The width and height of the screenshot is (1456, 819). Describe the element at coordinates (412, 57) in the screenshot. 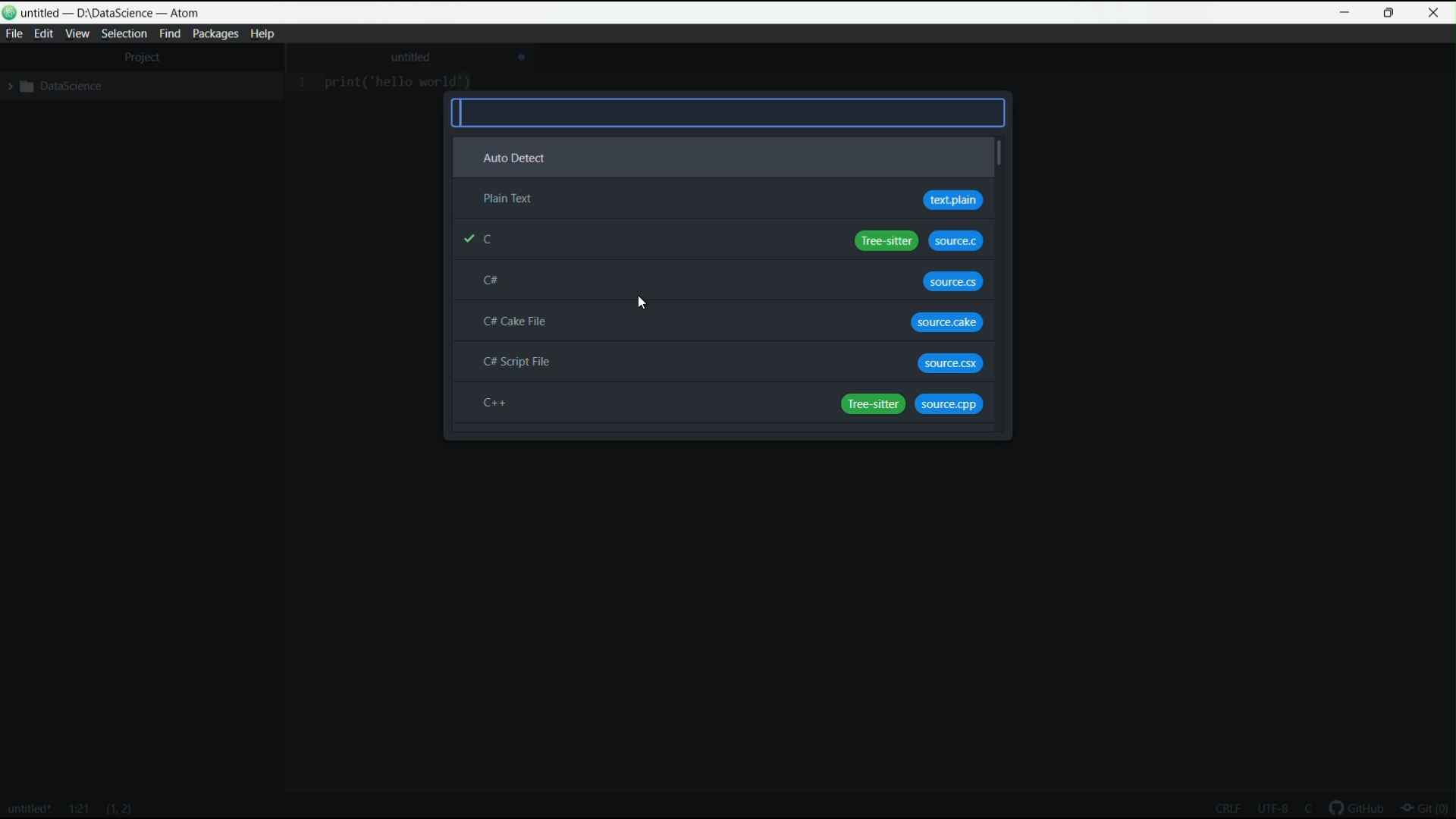

I see `untitled` at that location.